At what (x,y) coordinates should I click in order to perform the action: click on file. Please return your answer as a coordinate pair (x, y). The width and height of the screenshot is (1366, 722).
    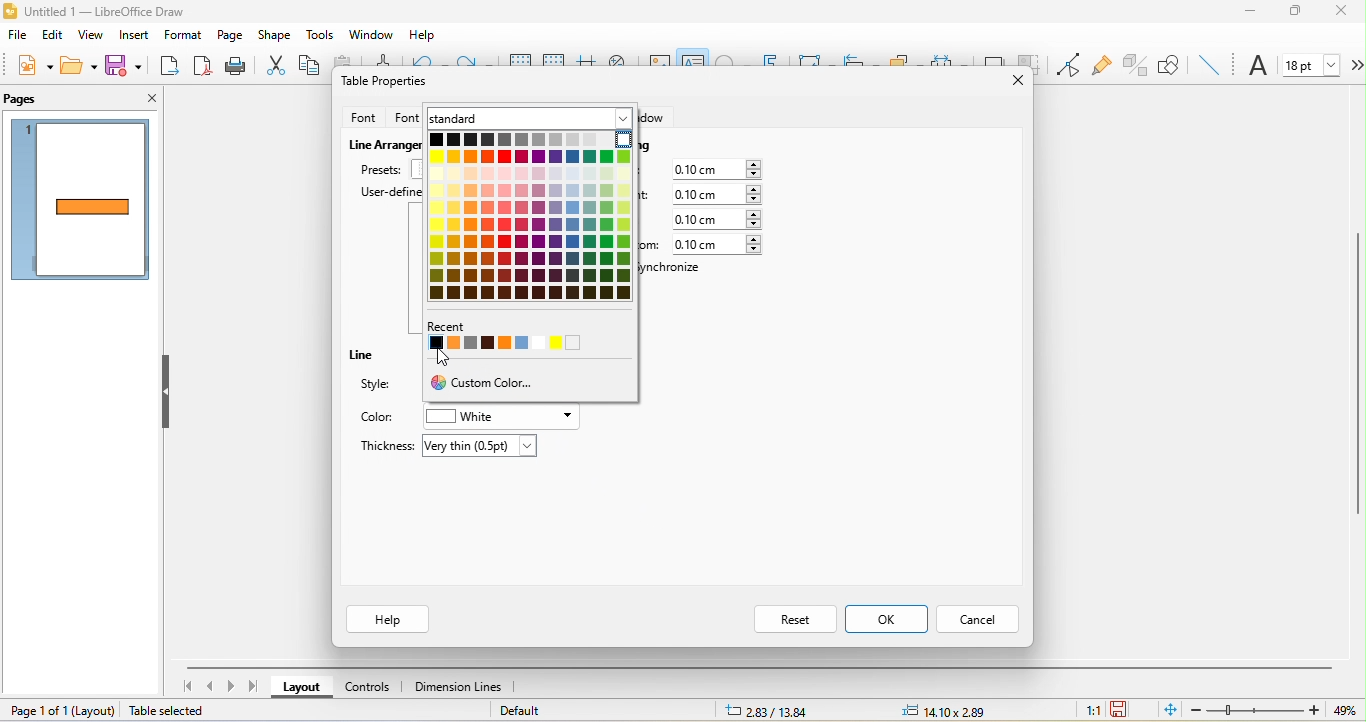
    Looking at the image, I should click on (16, 35).